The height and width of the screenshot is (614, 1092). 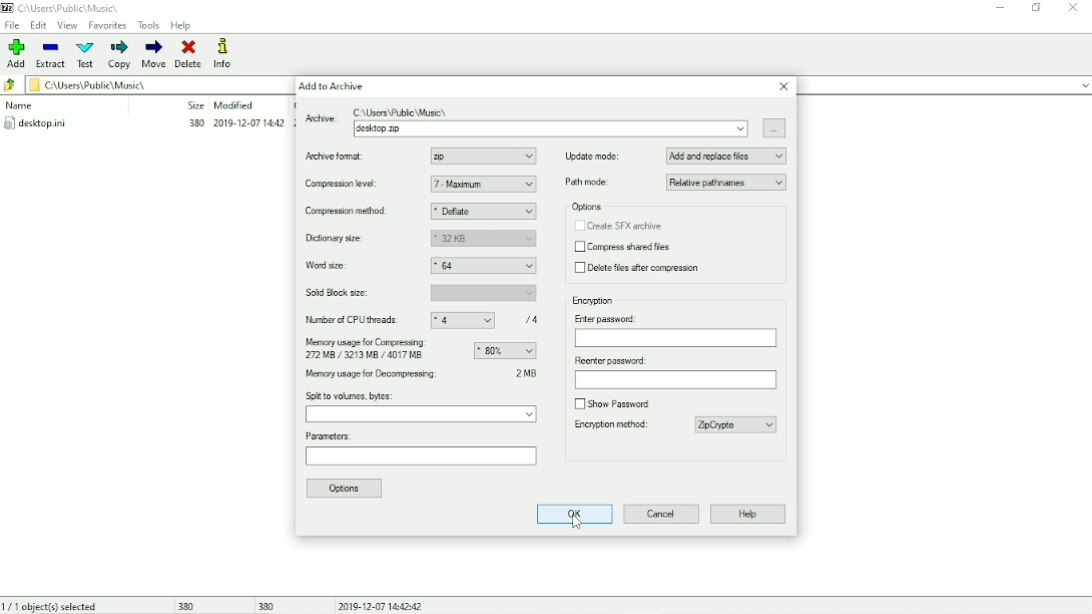 I want to click on File location, so click(x=152, y=84).